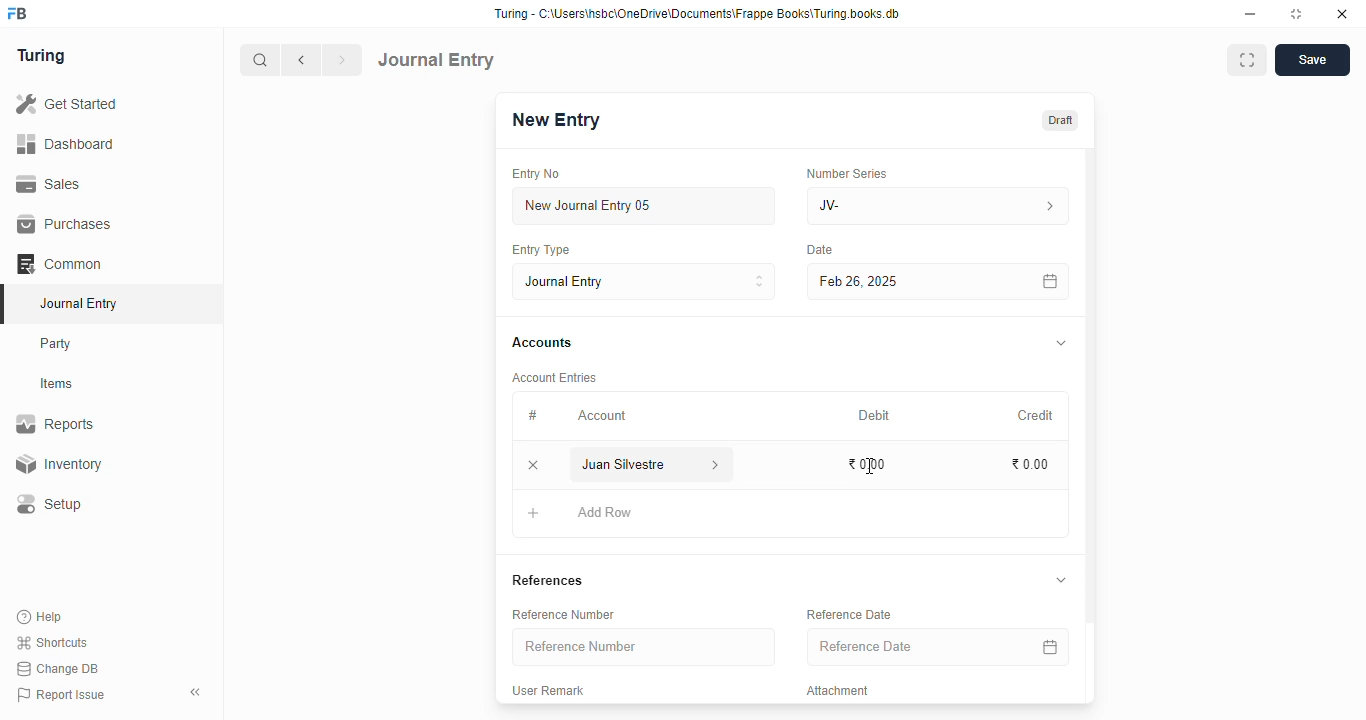  Describe the element at coordinates (58, 464) in the screenshot. I see `inventory` at that location.